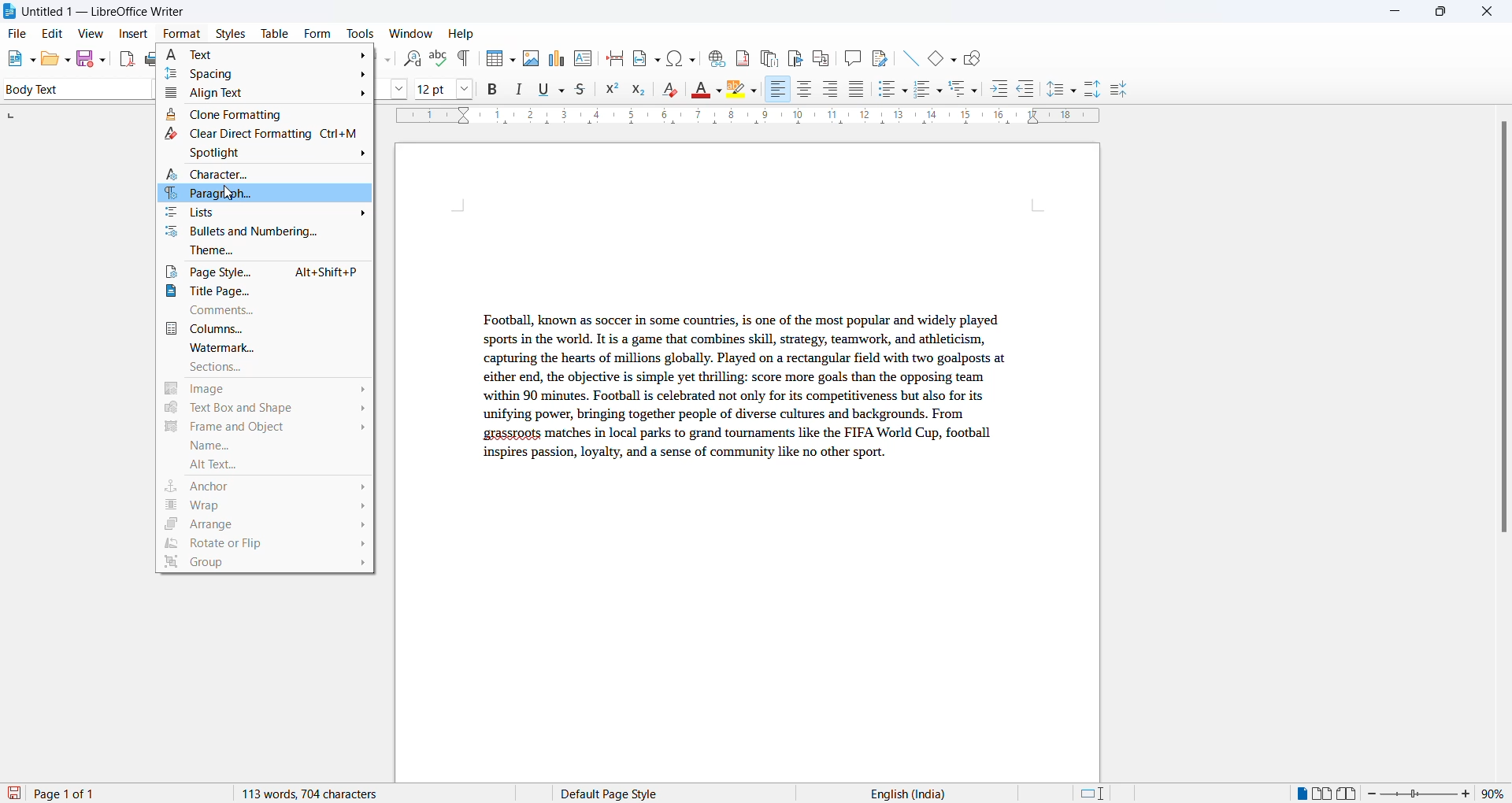 Image resolution: width=1512 pixels, height=803 pixels. Describe the element at coordinates (1421, 794) in the screenshot. I see `zoom slider` at that location.